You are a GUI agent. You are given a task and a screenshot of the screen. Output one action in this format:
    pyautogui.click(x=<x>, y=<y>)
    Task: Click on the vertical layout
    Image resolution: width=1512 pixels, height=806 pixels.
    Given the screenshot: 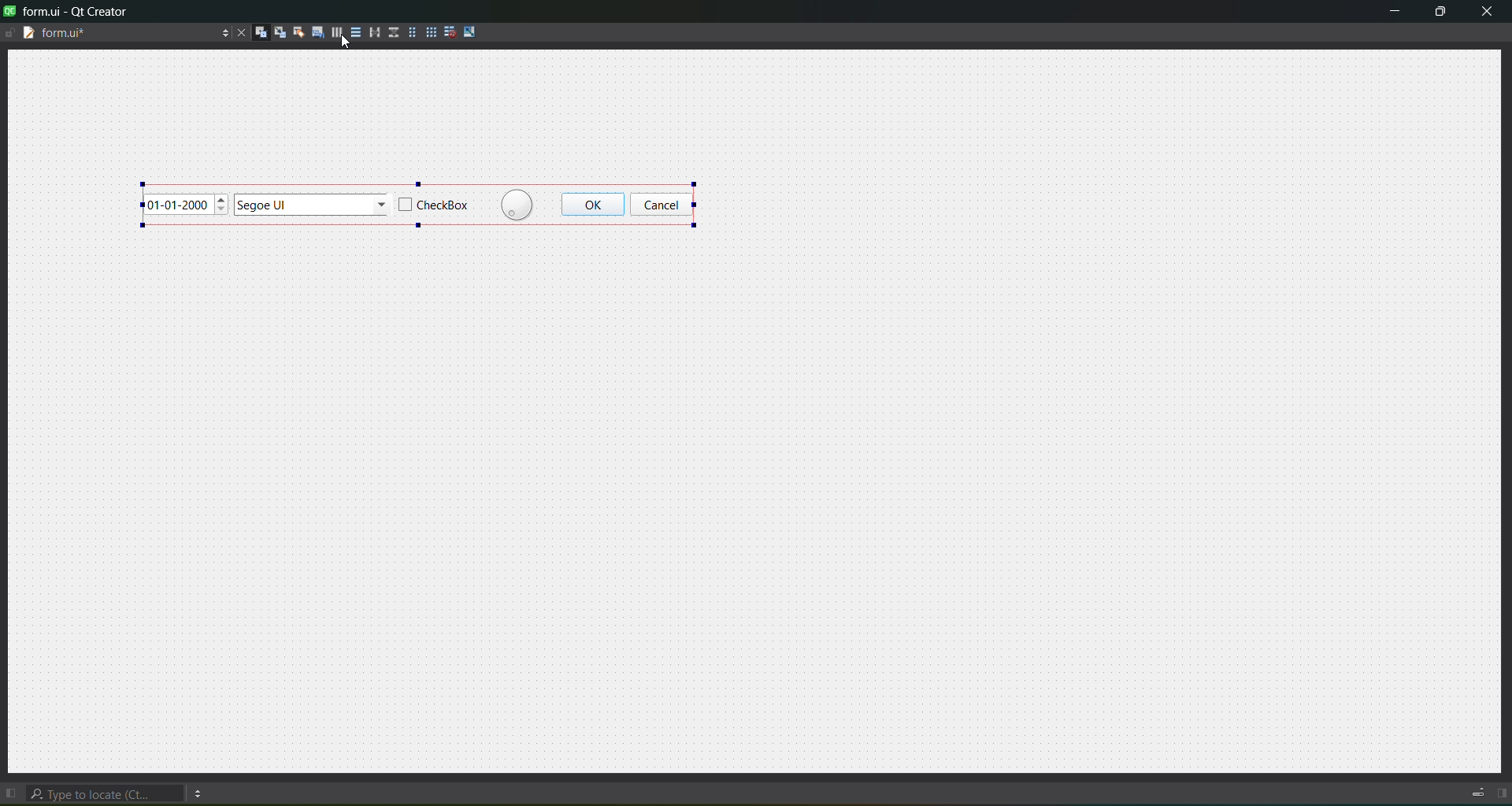 What is the action you would take?
    pyautogui.click(x=354, y=33)
    